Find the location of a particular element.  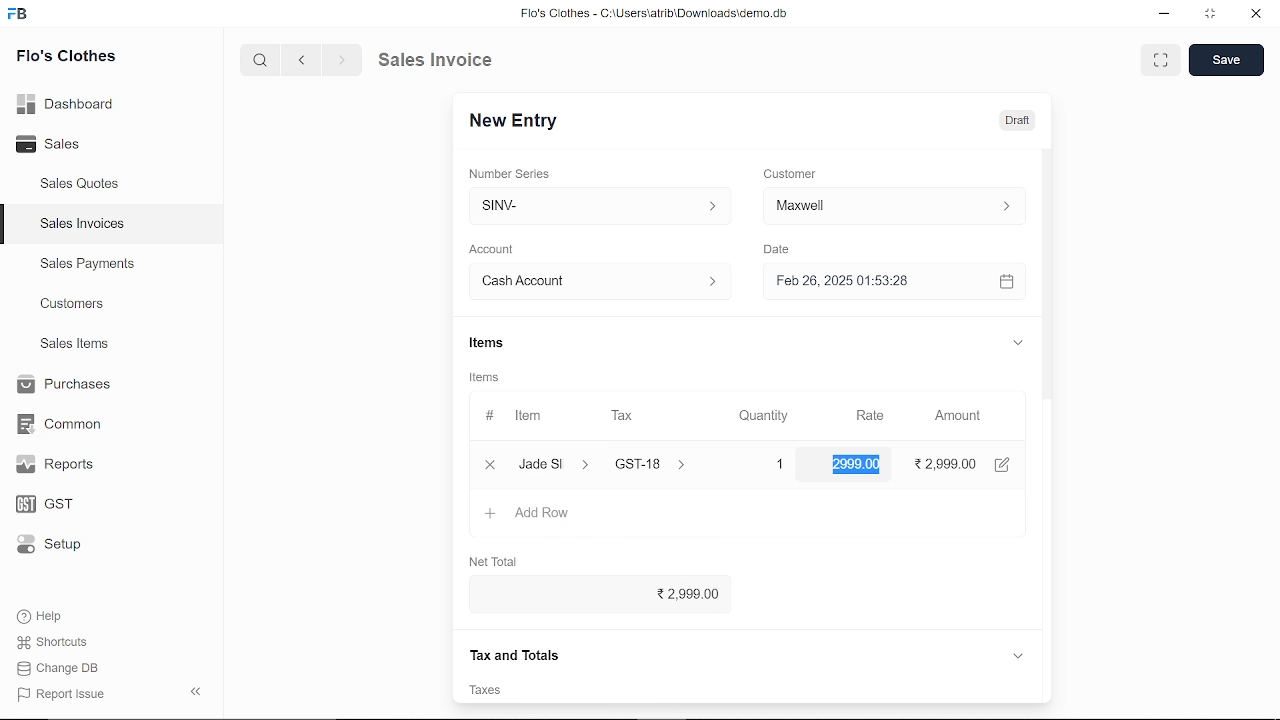

close is located at coordinates (488, 463).